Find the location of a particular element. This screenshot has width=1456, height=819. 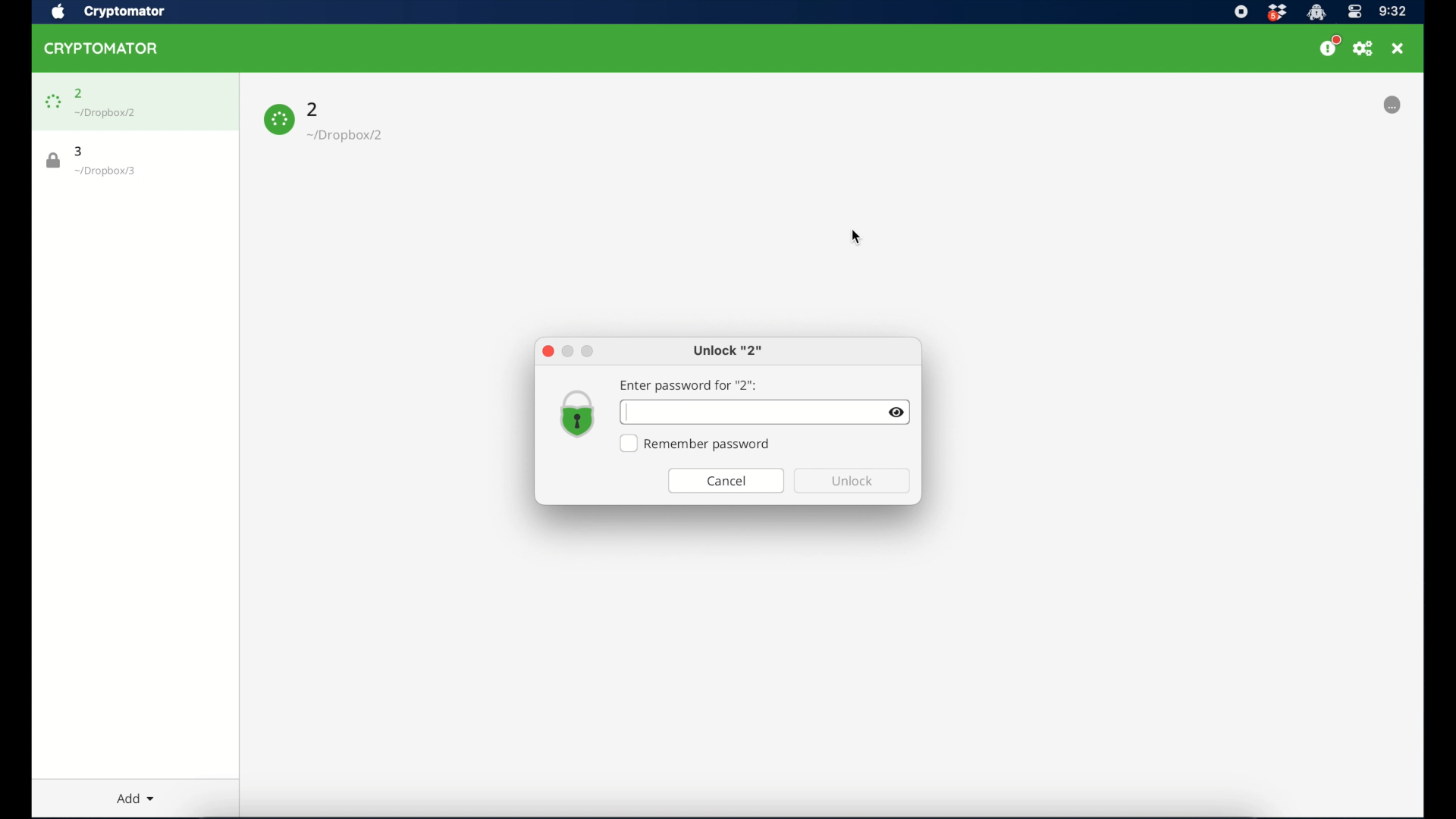

lock icon is located at coordinates (53, 161).